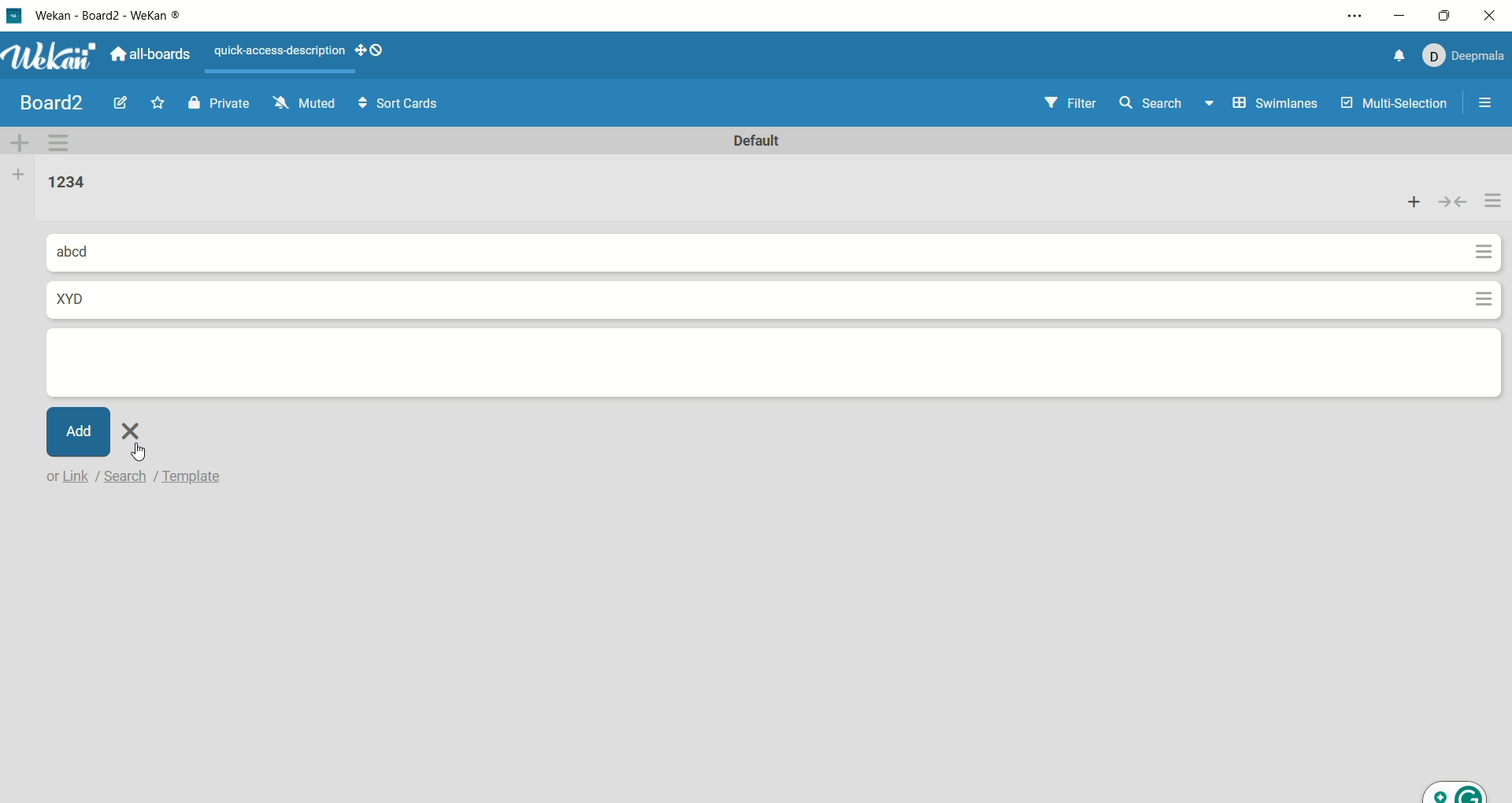 The height and width of the screenshot is (803, 1512). Describe the element at coordinates (140, 476) in the screenshot. I see `text` at that location.